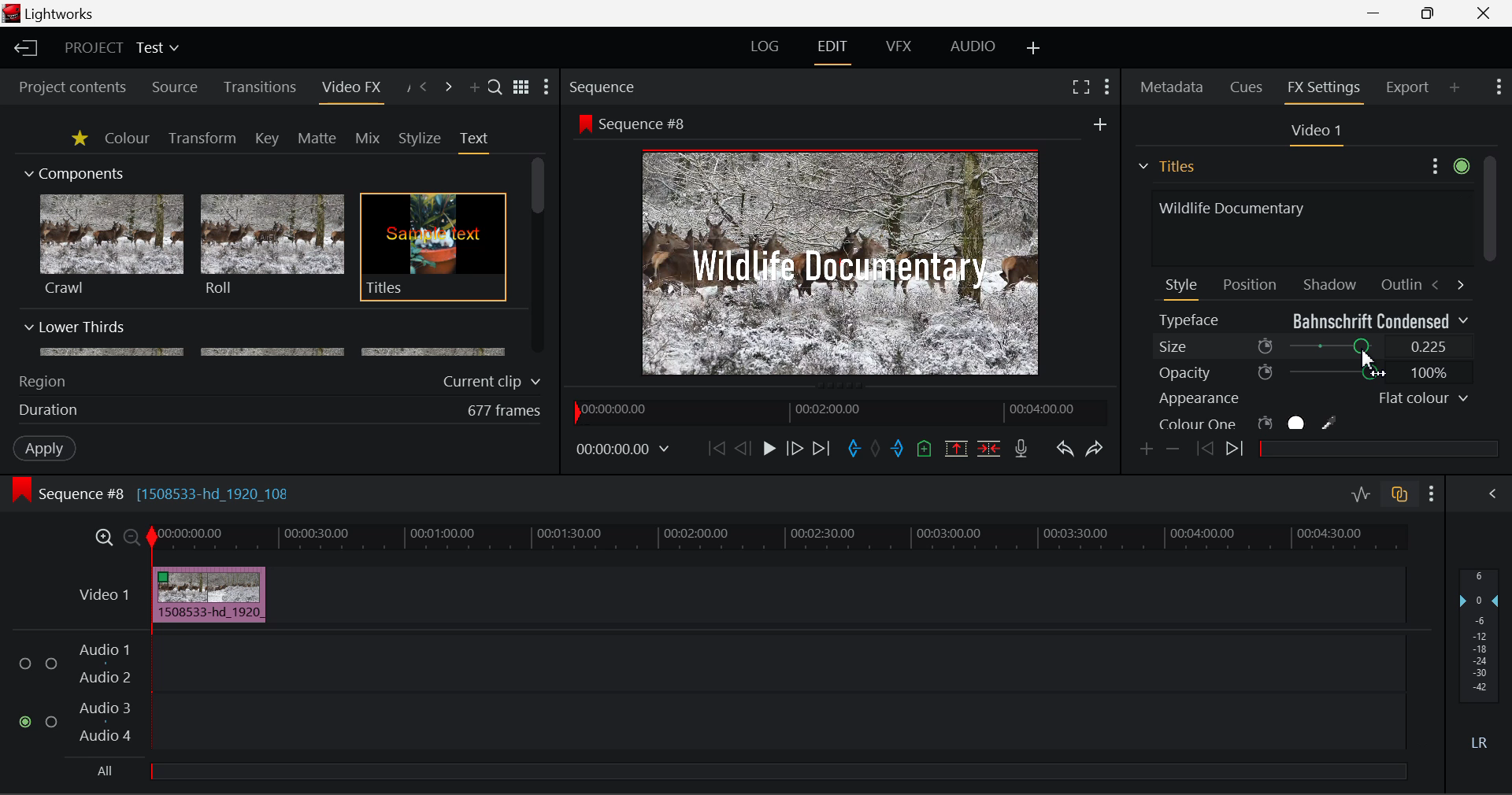 The width and height of the screenshot is (1512, 795). What do you see at coordinates (127, 137) in the screenshot?
I see `Colour` at bounding box center [127, 137].